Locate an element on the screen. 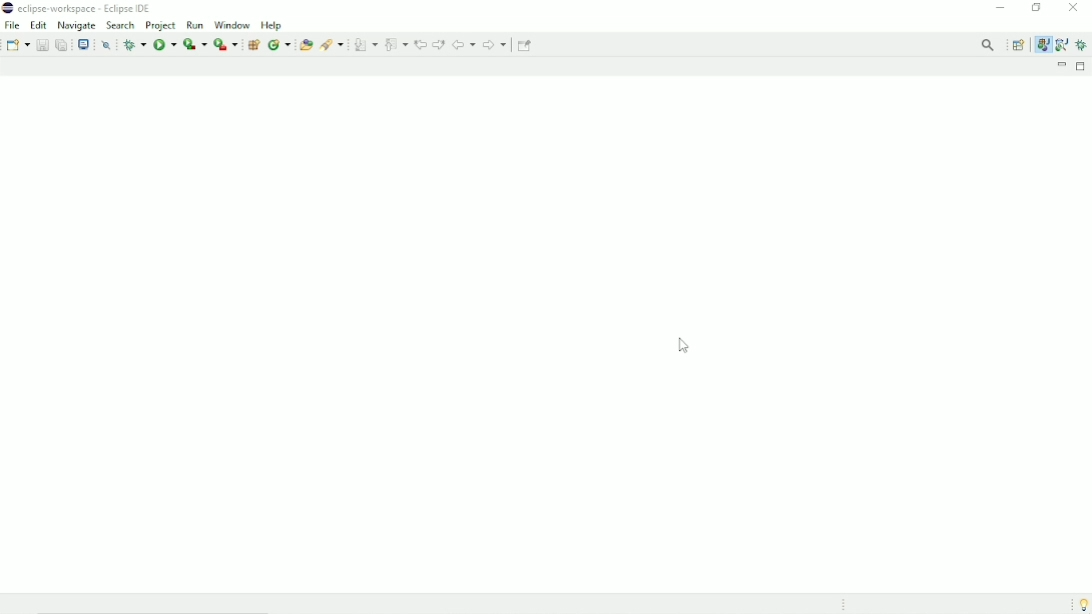 This screenshot has width=1092, height=614. New java class is located at coordinates (279, 45).